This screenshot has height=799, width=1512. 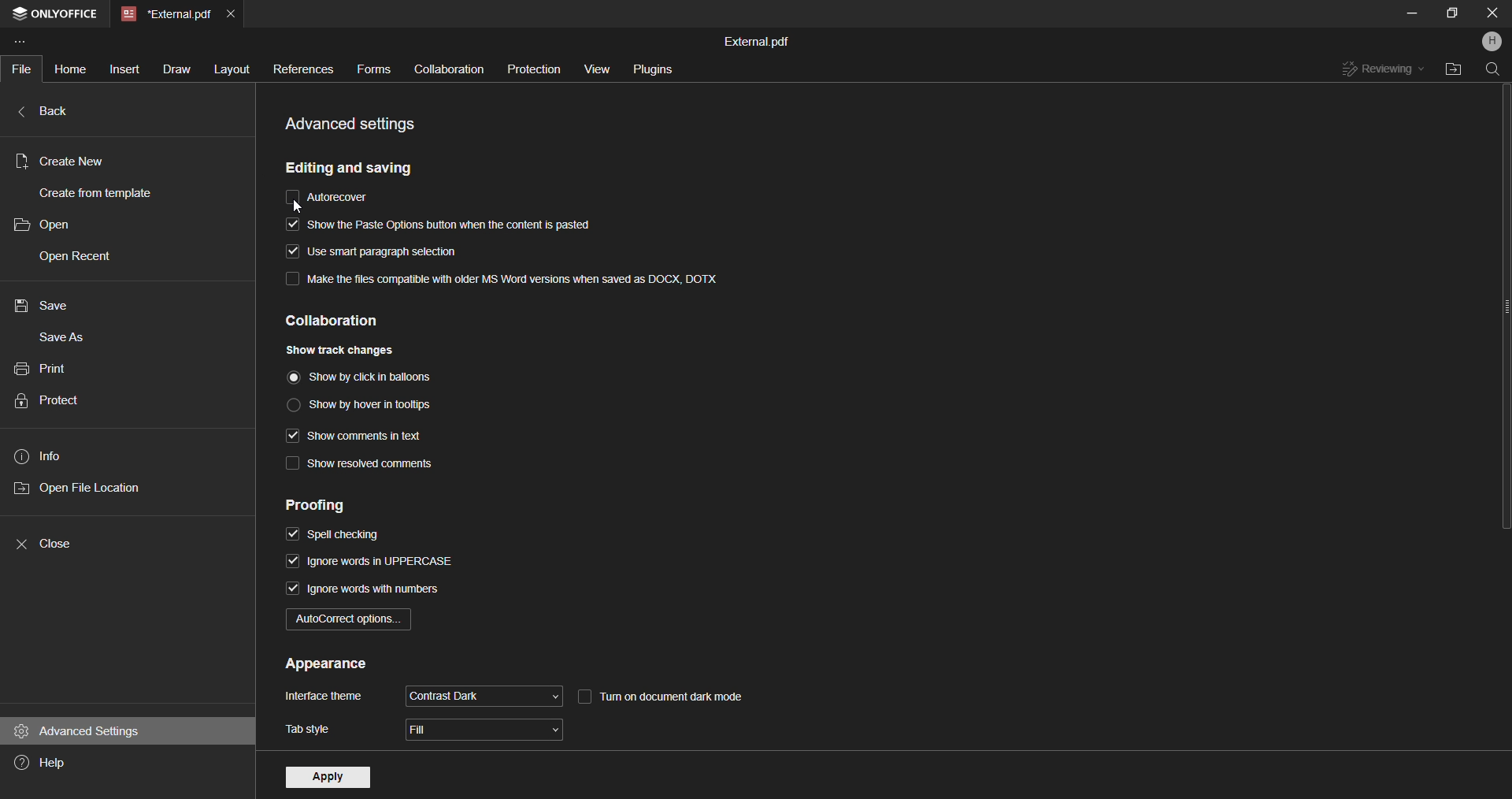 What do you see at coordinates (57, 399) in the screenshot?
I see `protect` at bounding box center [57, 399].